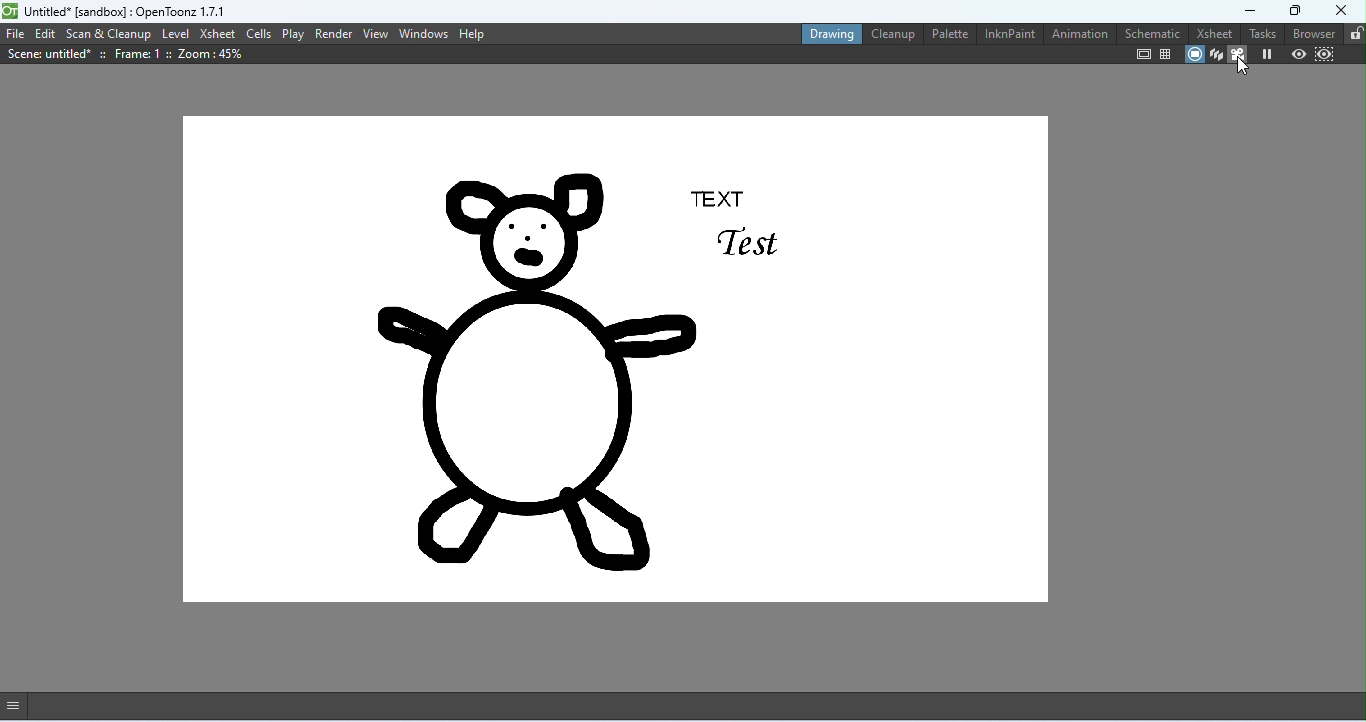  What do you see at coordinates (1238, 56) in the screenshot?
I see `camera view` at bounding box center [1238, 56].